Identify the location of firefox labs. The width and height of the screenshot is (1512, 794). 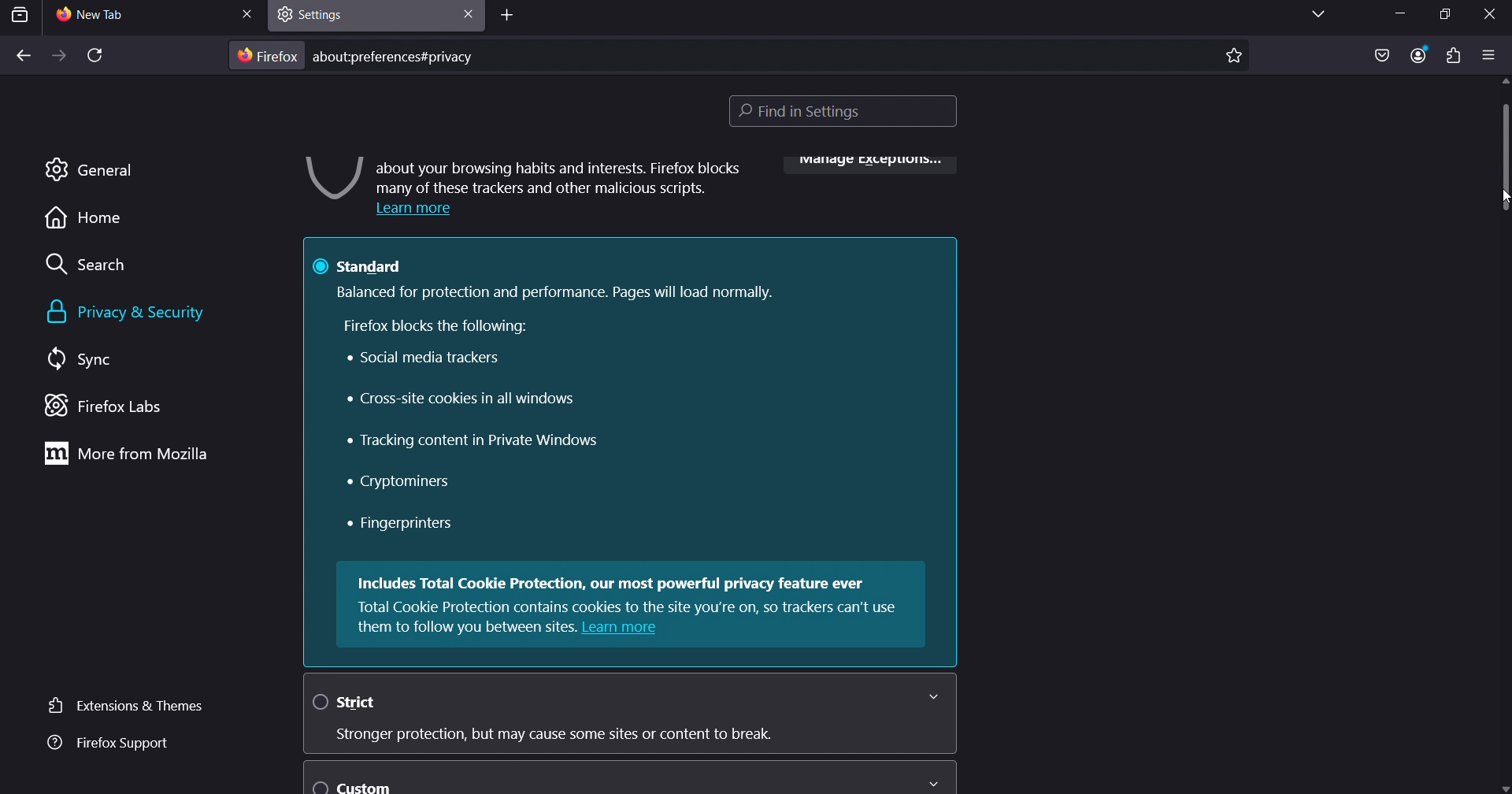
(121, 407).